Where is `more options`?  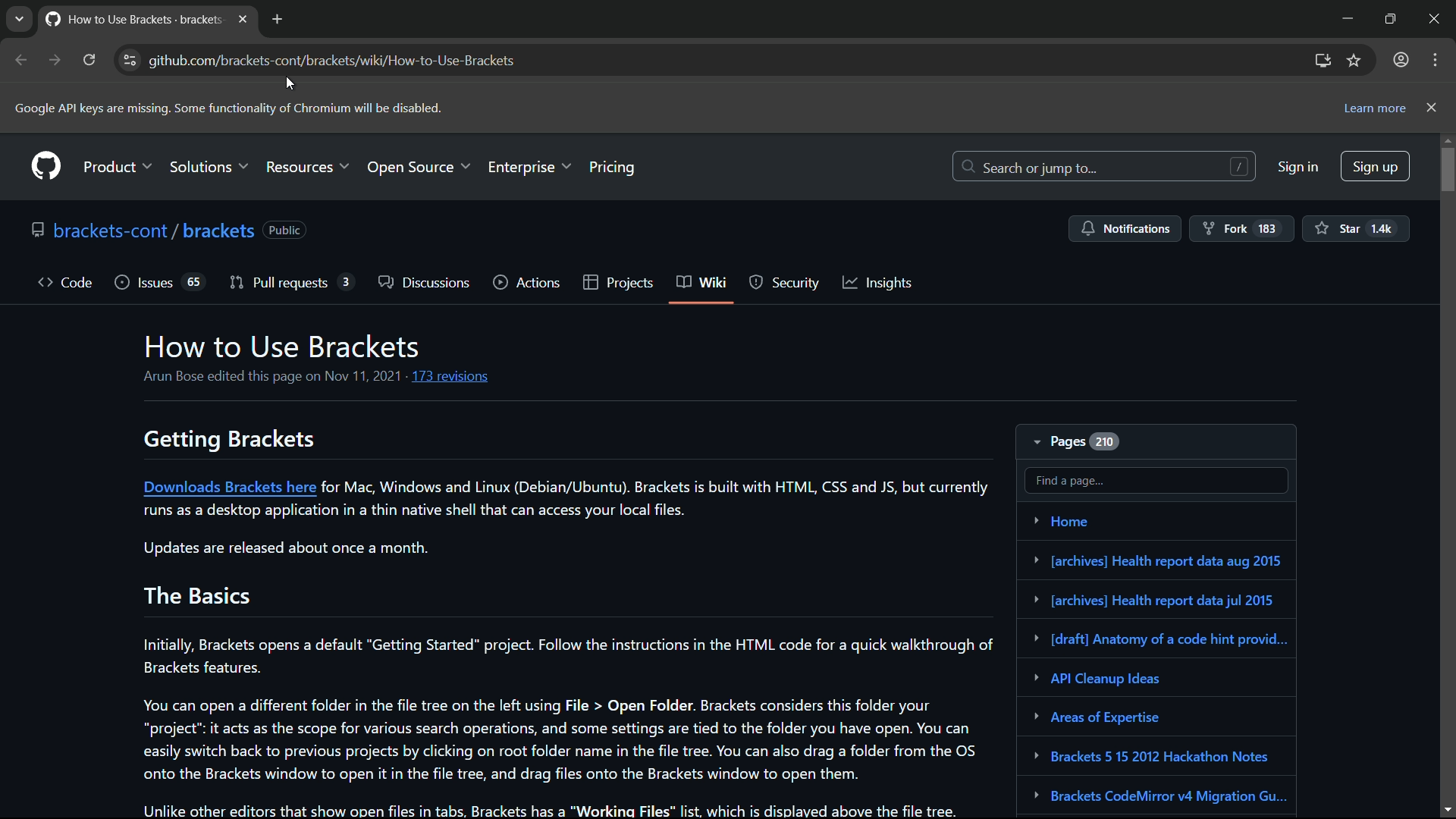 more options is located at coordinates (1439, 60).